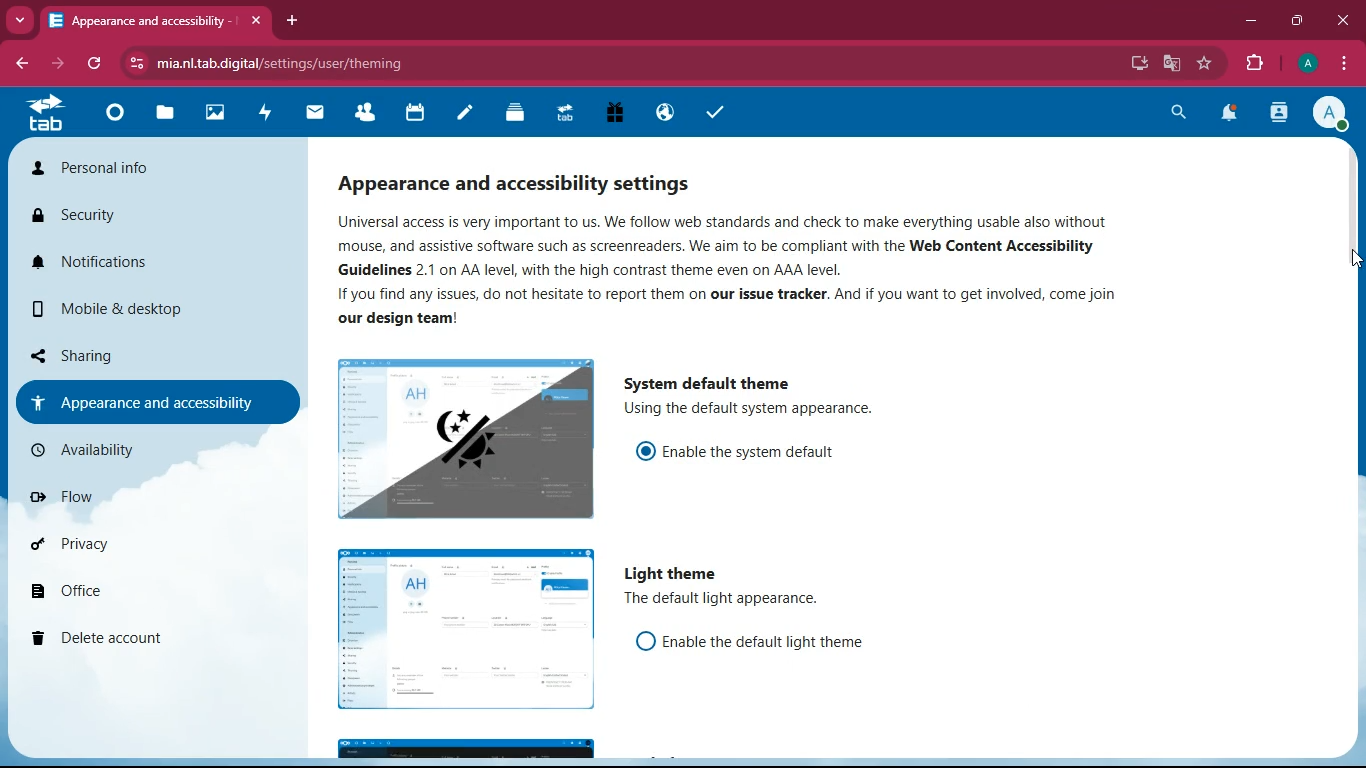 The image size is (1366, 768). What do you see at coordinates (100, 64) in the screenshot?
I see `refresh` at bounding box center [100, 64].